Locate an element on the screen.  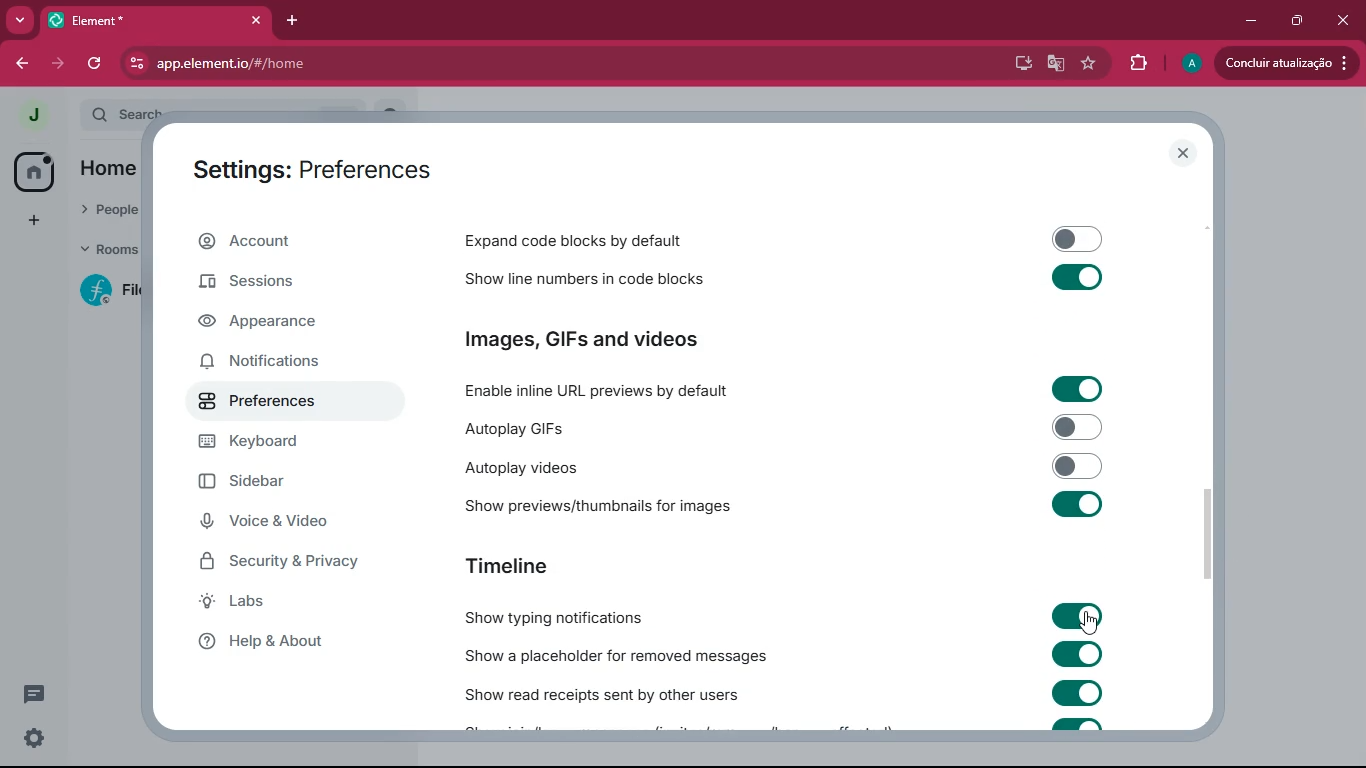
settings: preferences is located at coordinates (313, 174).